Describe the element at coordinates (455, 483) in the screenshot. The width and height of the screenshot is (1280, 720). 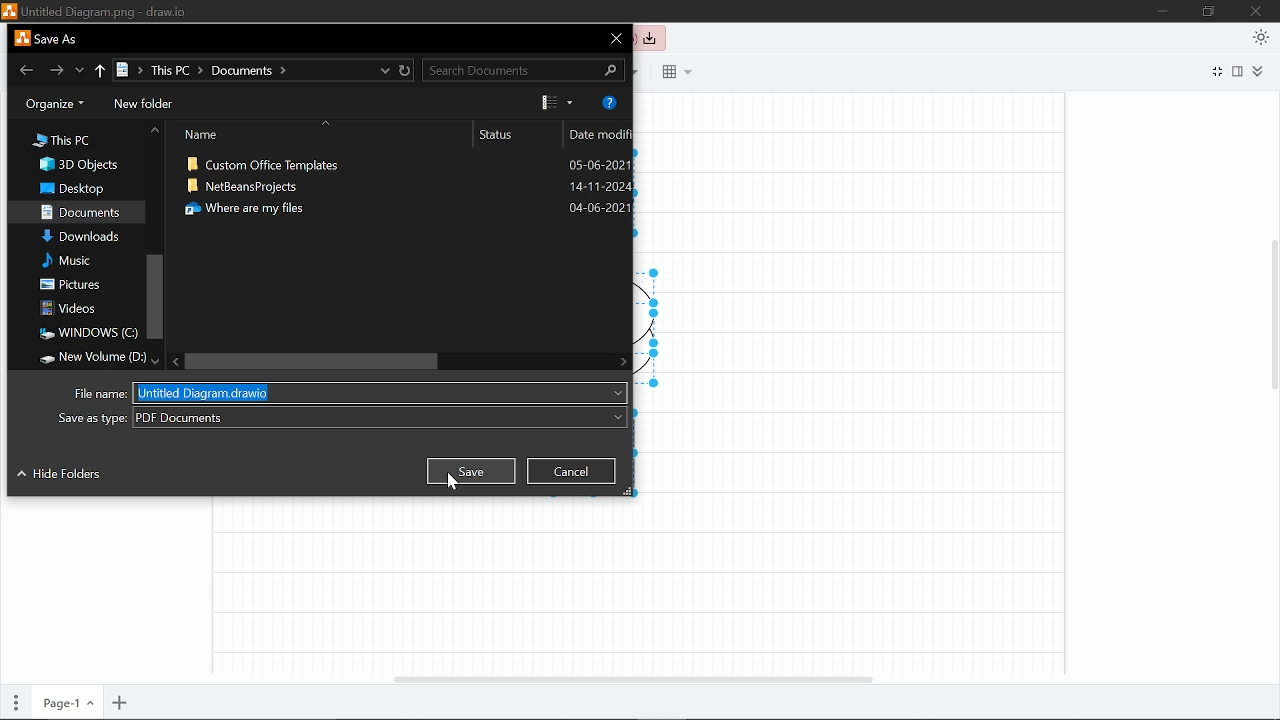
I see `cursor` at that location.